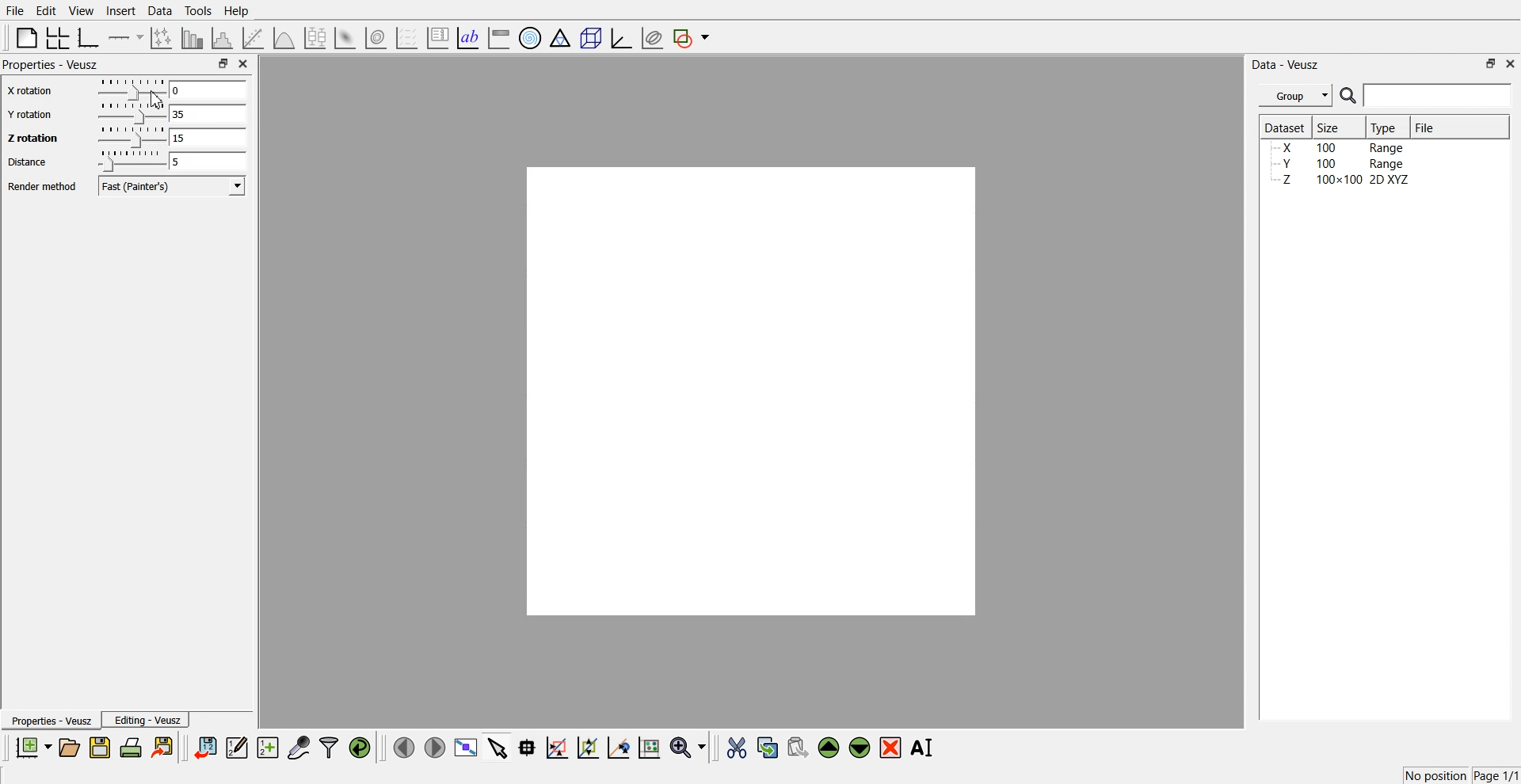  I want to click on Z 100x100 2D XYZ, so click(1343, 180).